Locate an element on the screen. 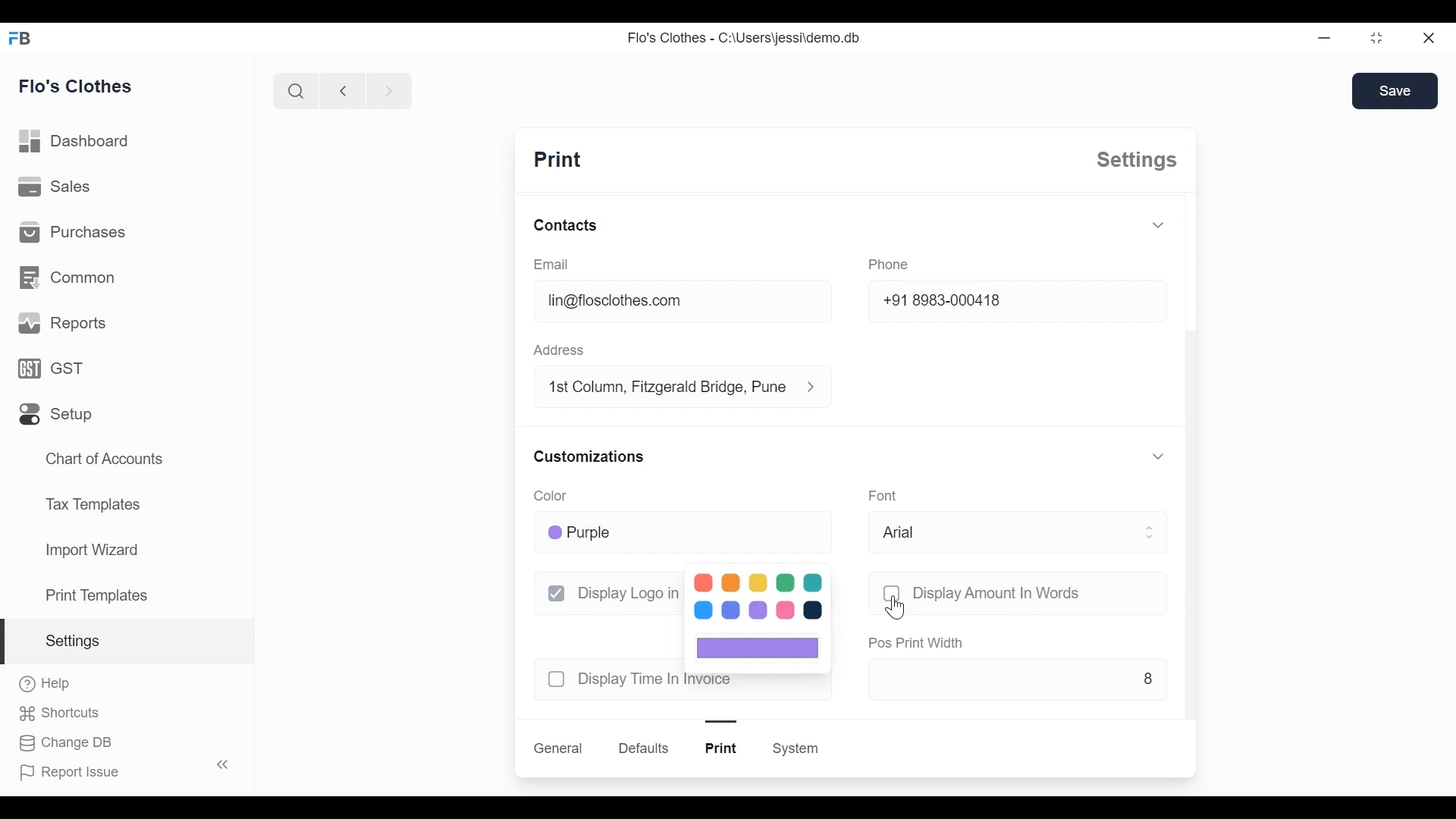 The image size is (1456, 819). toggle sidebar is located at coordinates (224, 764).